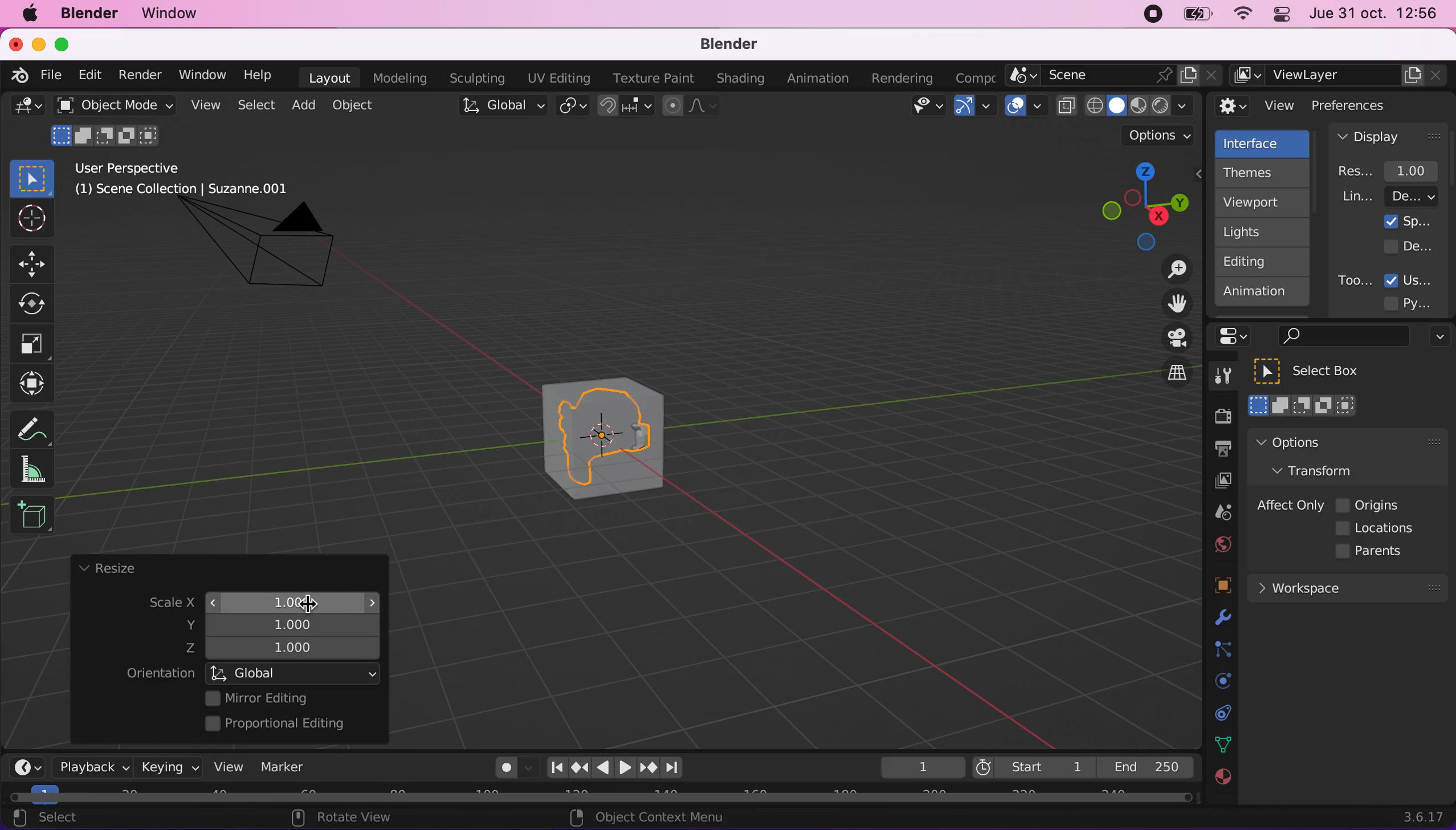 The image size is (1456, 830). What do you see at coordinates (1148, 16) in the screenshot?
I see `recording stopped` at bounding box center [1148, 16].